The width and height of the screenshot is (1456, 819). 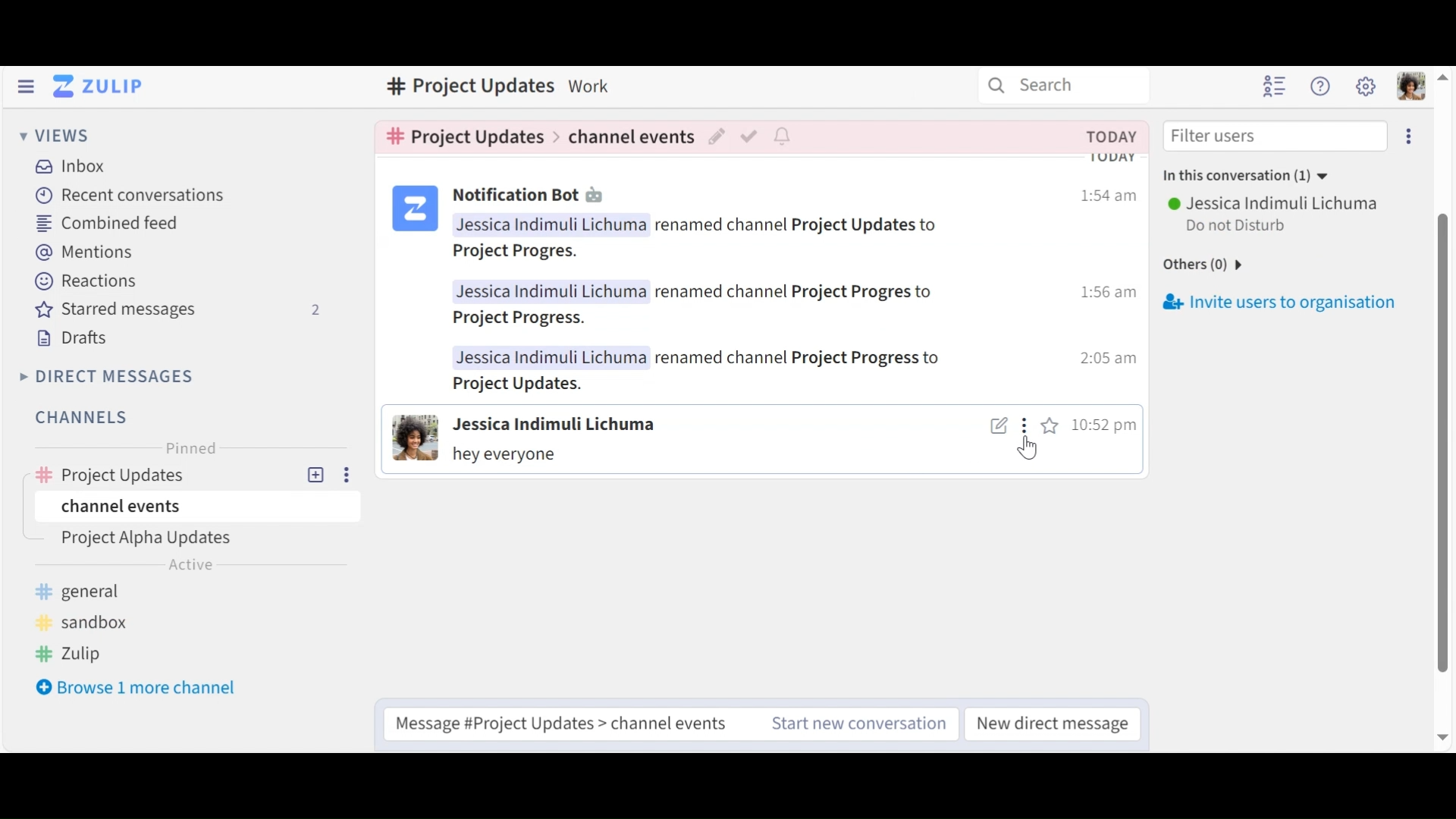 What do you see at coordinates (27, 86) in the screenshot?
I see `Hide Left Sidebar` at bounding box center [27, 86].